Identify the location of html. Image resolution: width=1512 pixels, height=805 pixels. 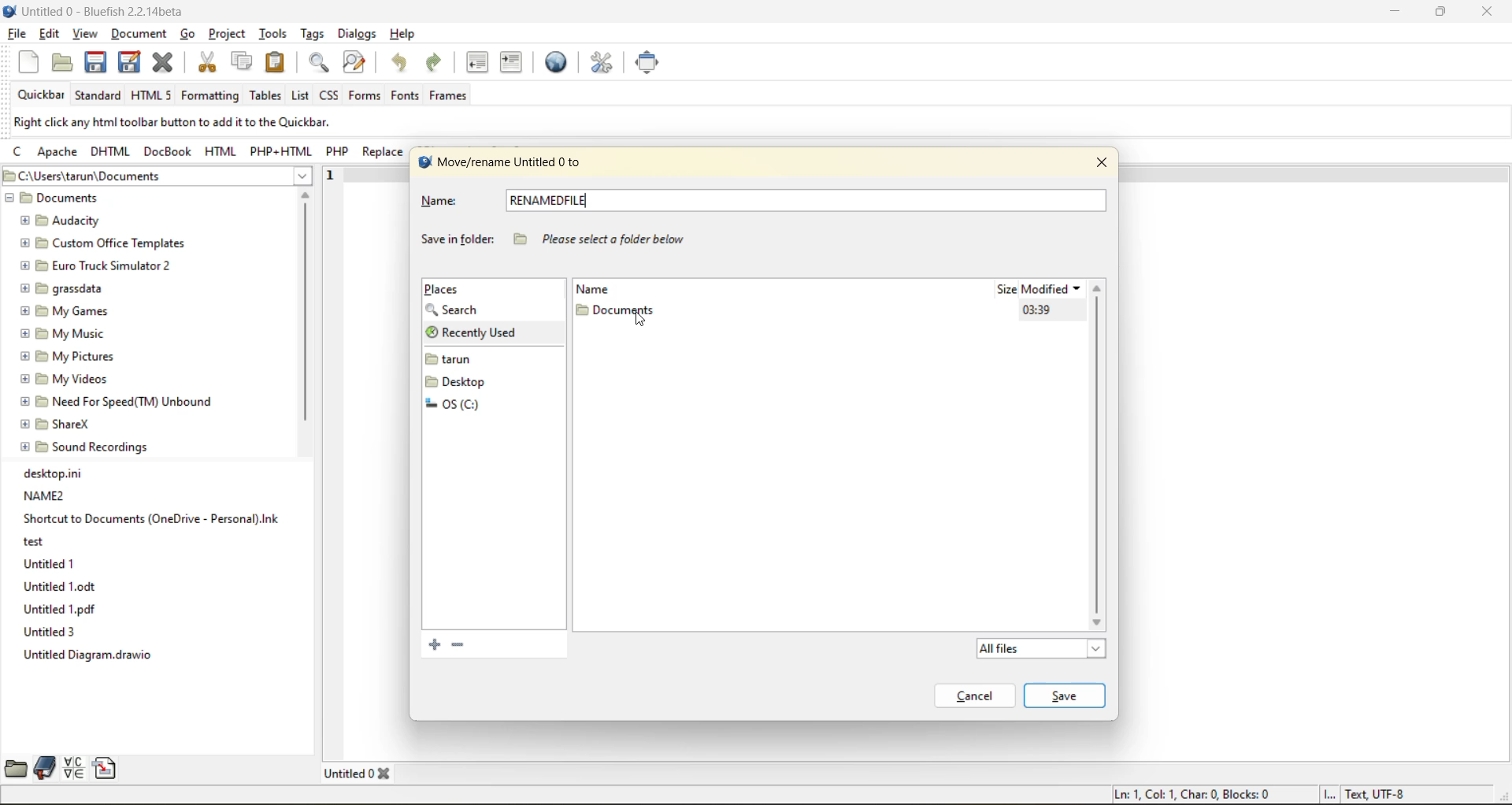
(220, 152).